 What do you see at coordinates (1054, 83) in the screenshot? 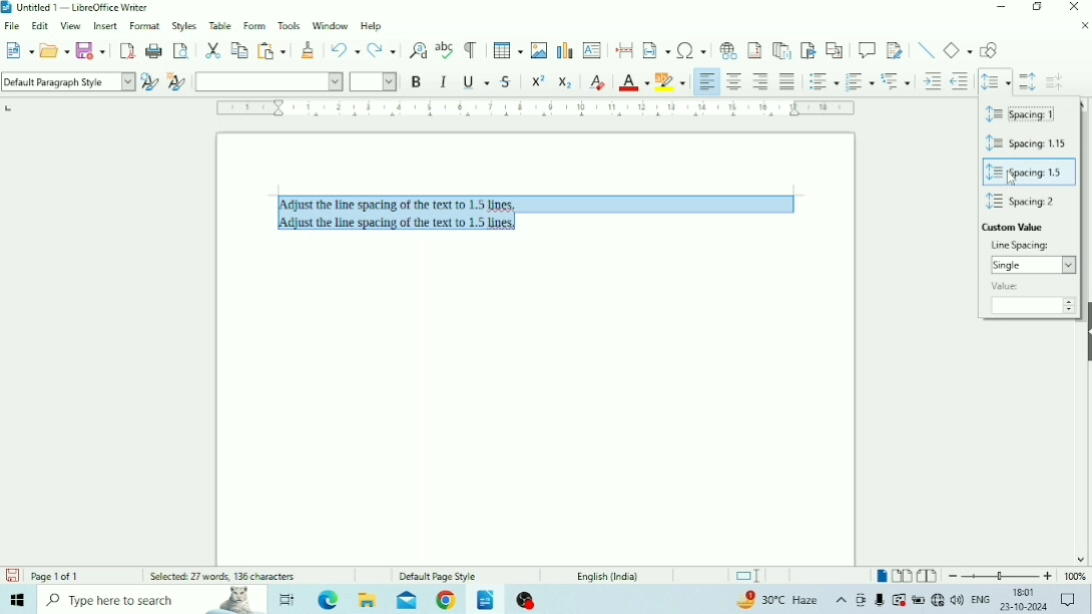
I see `Decrease Paragraph Spacing` at bounding box center [1054, 83].